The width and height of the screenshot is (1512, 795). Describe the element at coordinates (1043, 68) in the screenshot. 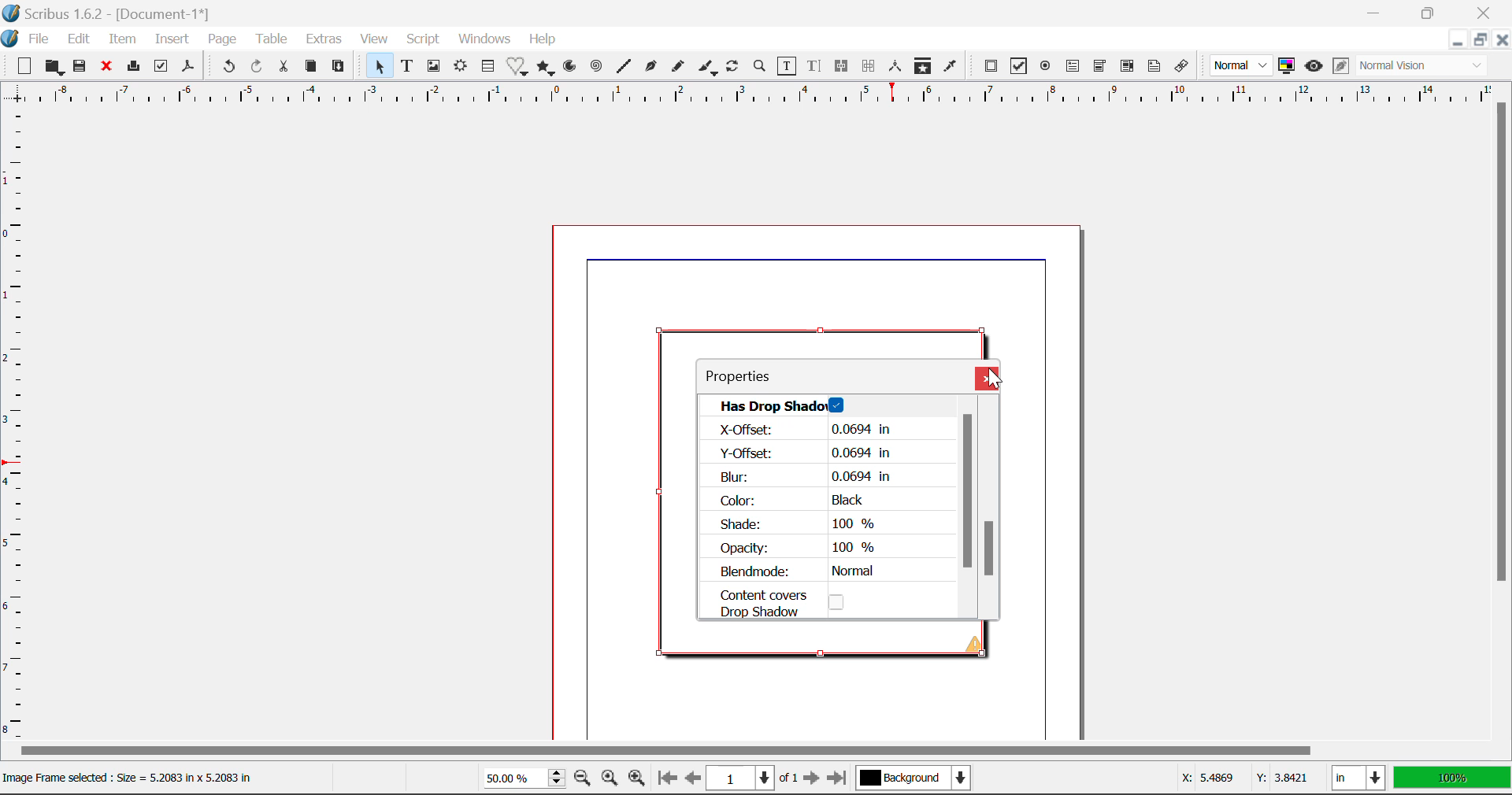

I see `Pdf Radio Button` at that location.